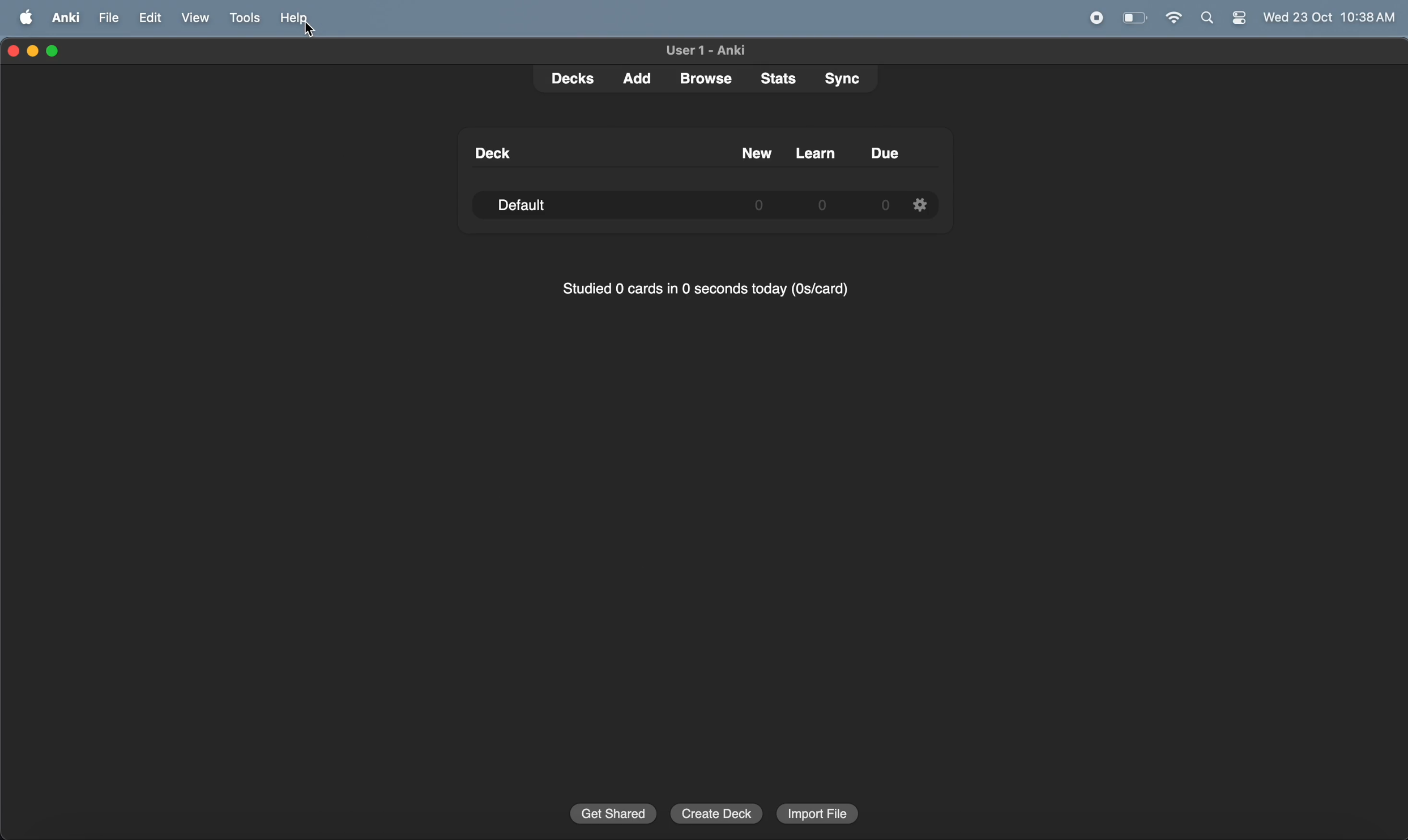 This screenshot has width=1408, height=840. What do you see at coordinates (109, 17) in the screenshot?
I see `file` at bounding box center [109, 17].